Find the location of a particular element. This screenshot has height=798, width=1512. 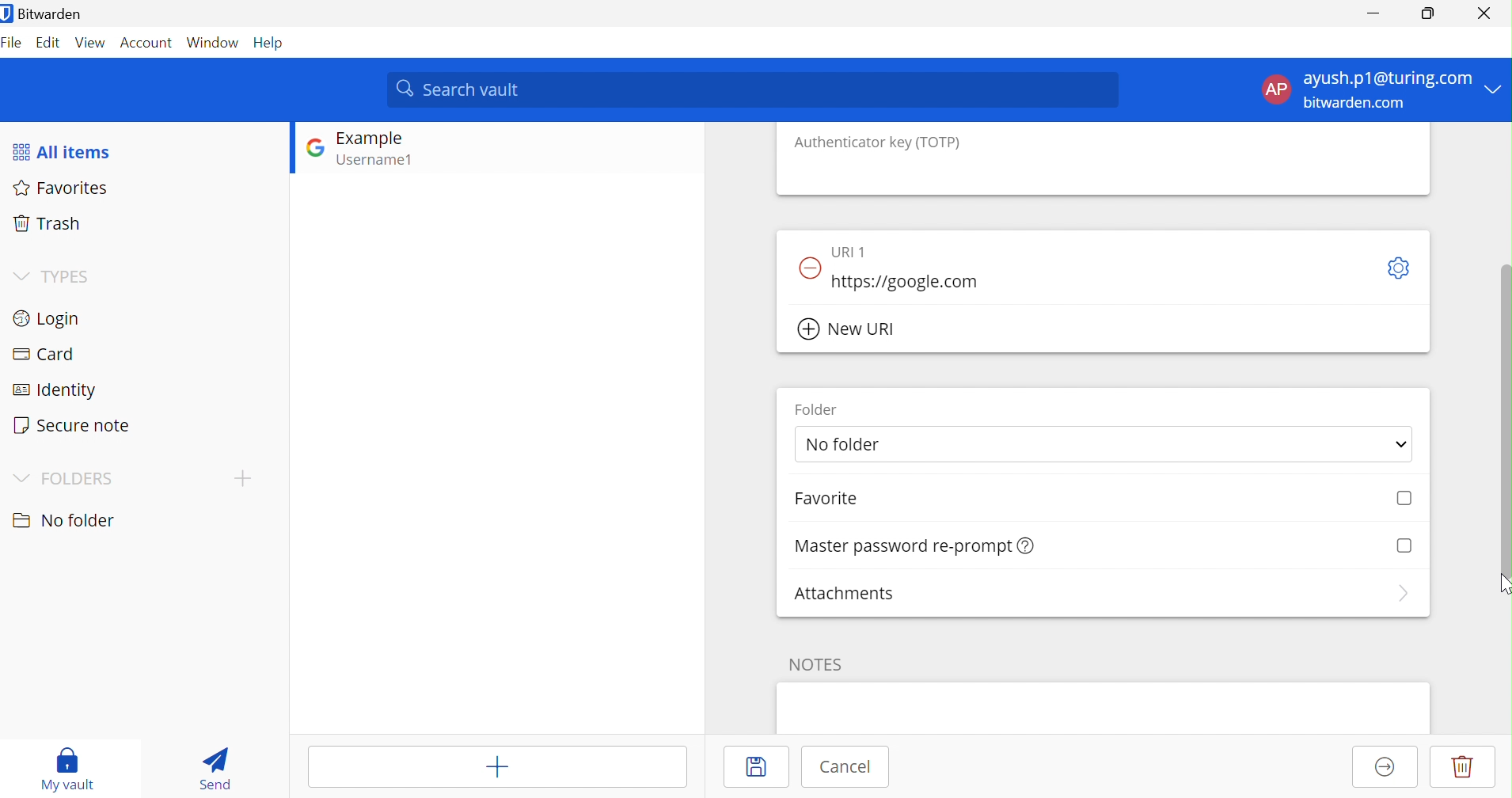

TYPES is located at coordinates (69, 275).